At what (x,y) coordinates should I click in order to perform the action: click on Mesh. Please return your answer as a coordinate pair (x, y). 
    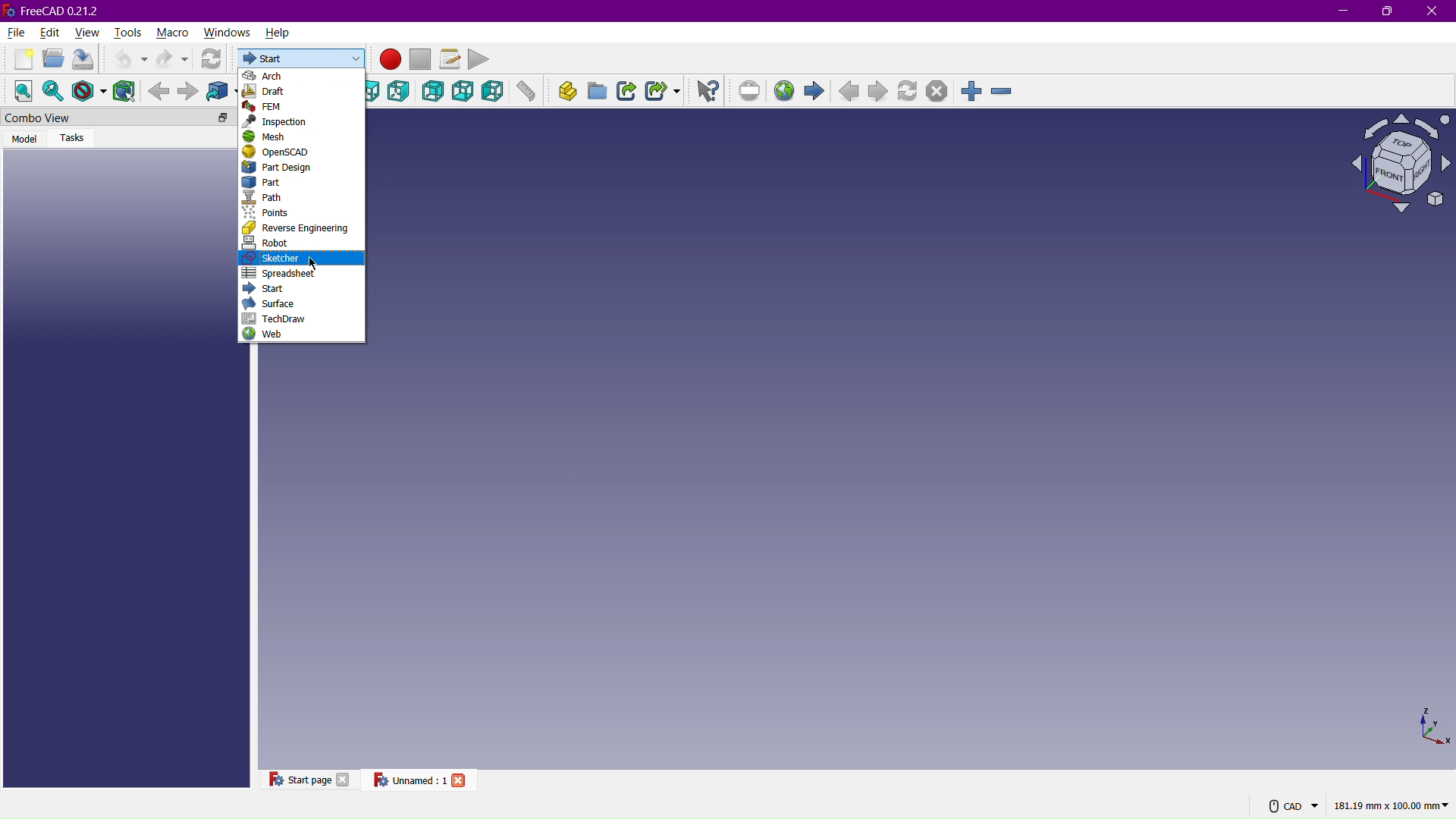
    Looking at the image, I should click on (273, 136).